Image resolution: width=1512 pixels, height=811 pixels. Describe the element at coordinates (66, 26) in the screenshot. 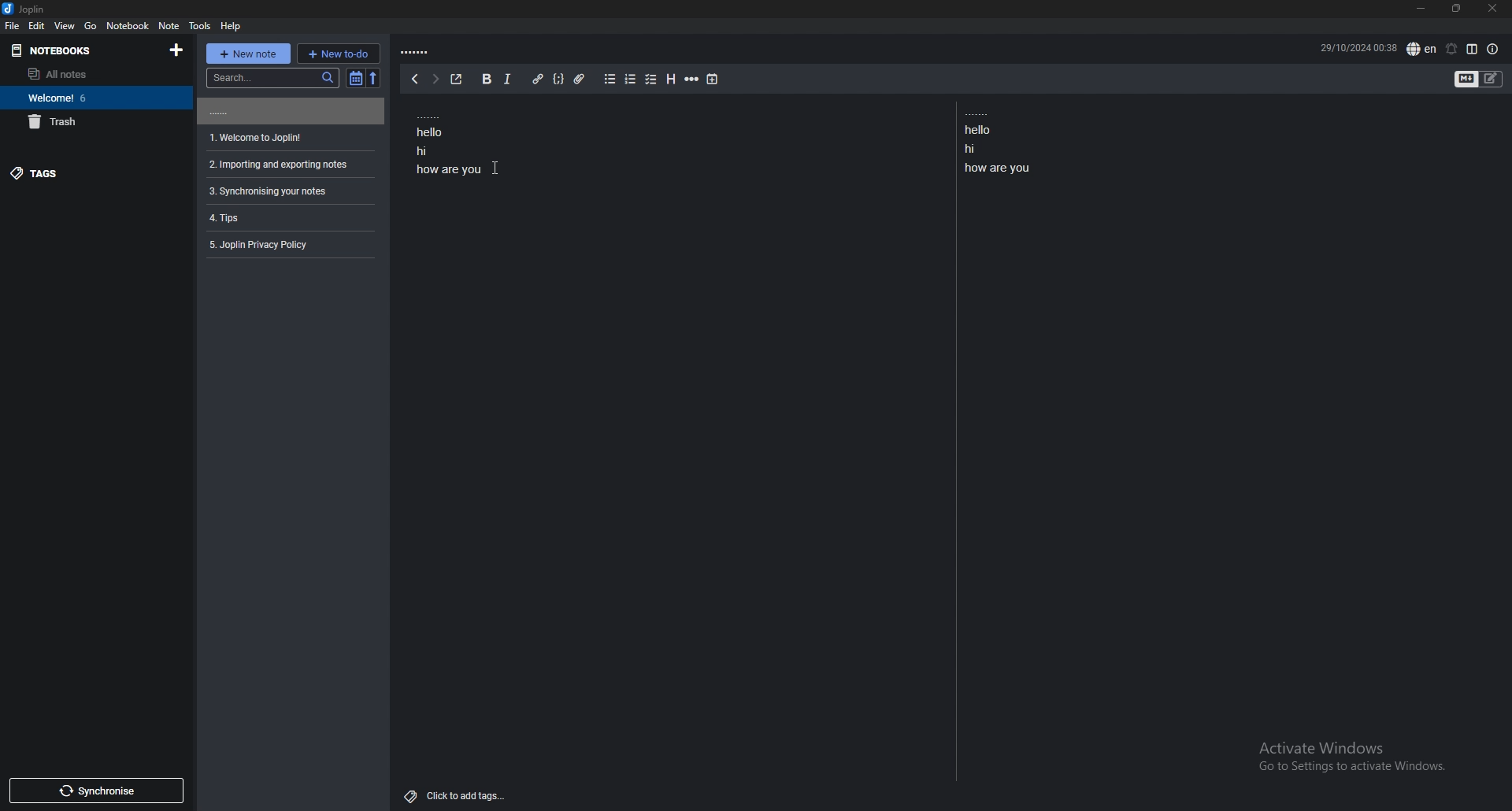

I see `view` at that location.